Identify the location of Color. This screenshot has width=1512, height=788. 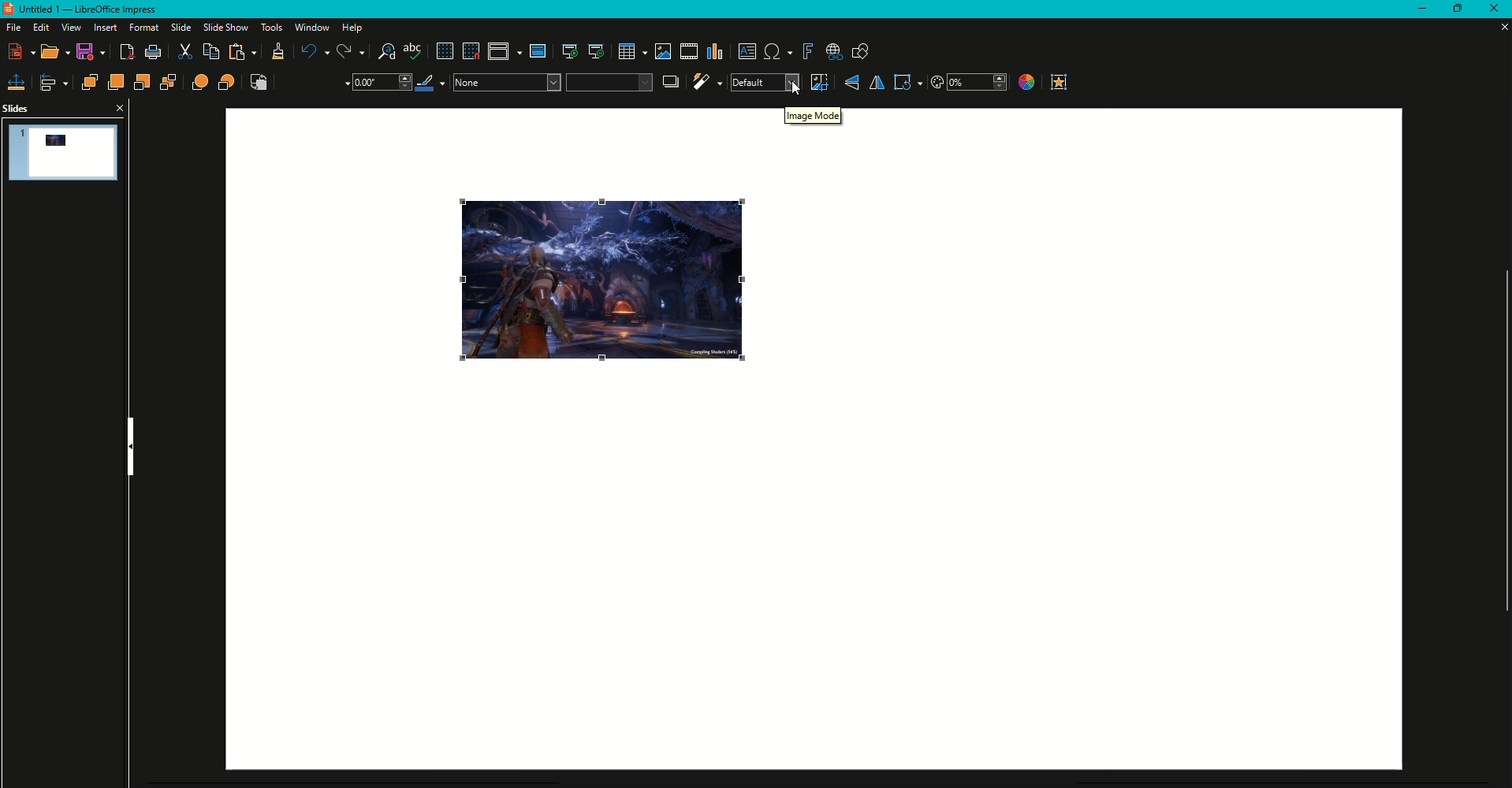
(1025, 84).